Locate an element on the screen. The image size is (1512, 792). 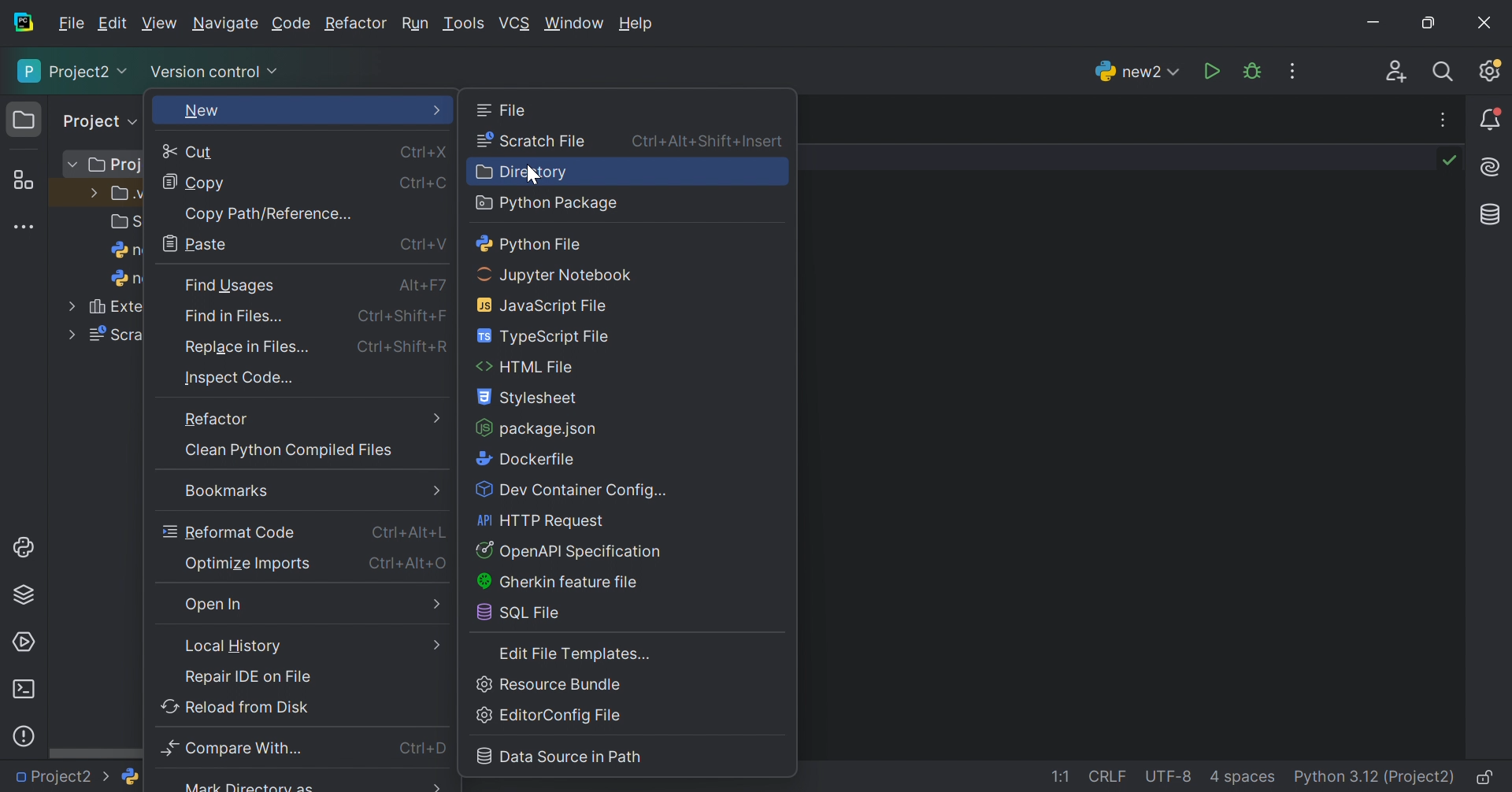
Version control is located at coordinates (216, 74).